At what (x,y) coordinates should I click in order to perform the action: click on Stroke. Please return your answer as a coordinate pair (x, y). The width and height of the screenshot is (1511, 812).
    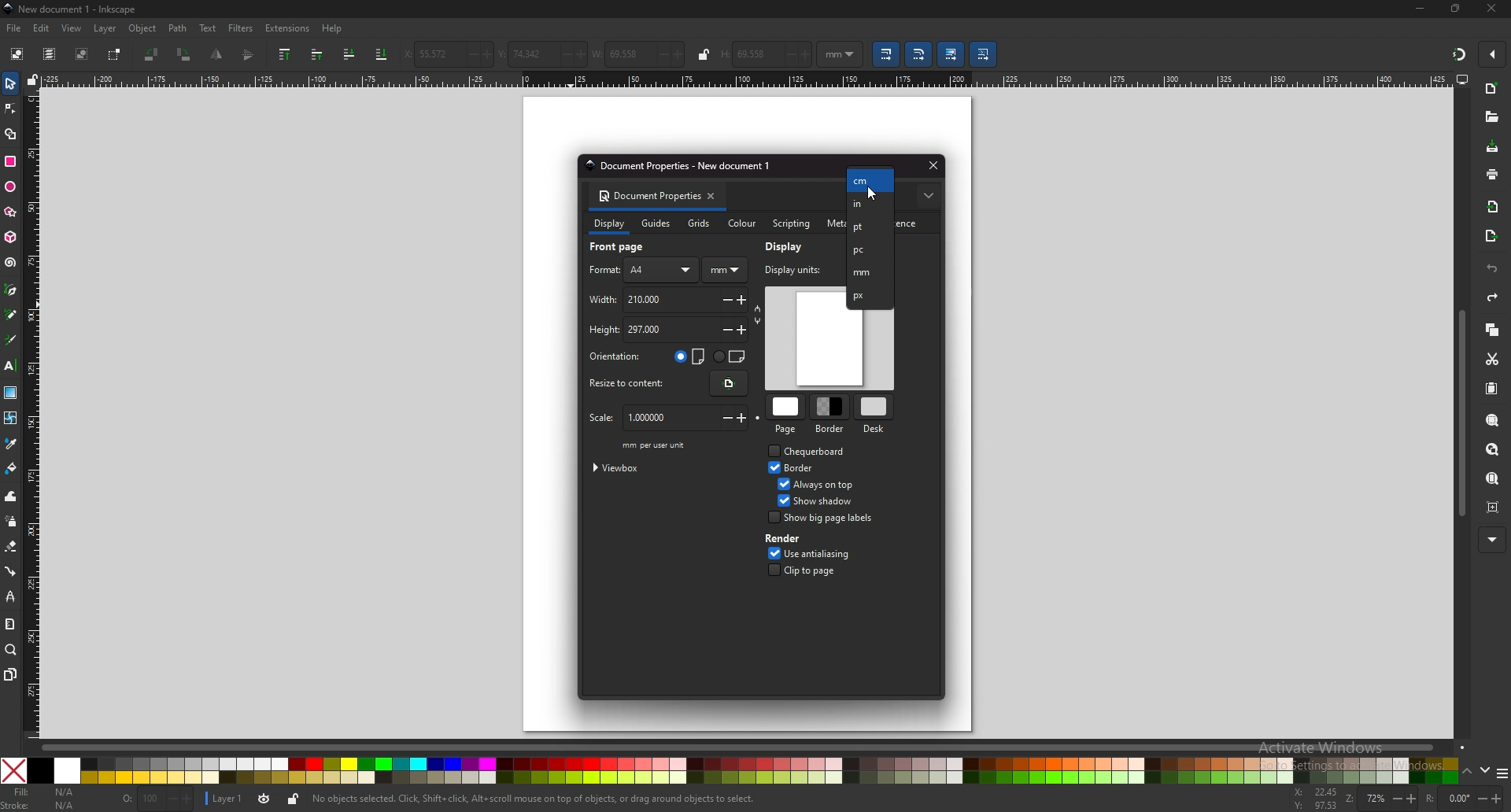
    Looking at the image, I should click on (41, 806).